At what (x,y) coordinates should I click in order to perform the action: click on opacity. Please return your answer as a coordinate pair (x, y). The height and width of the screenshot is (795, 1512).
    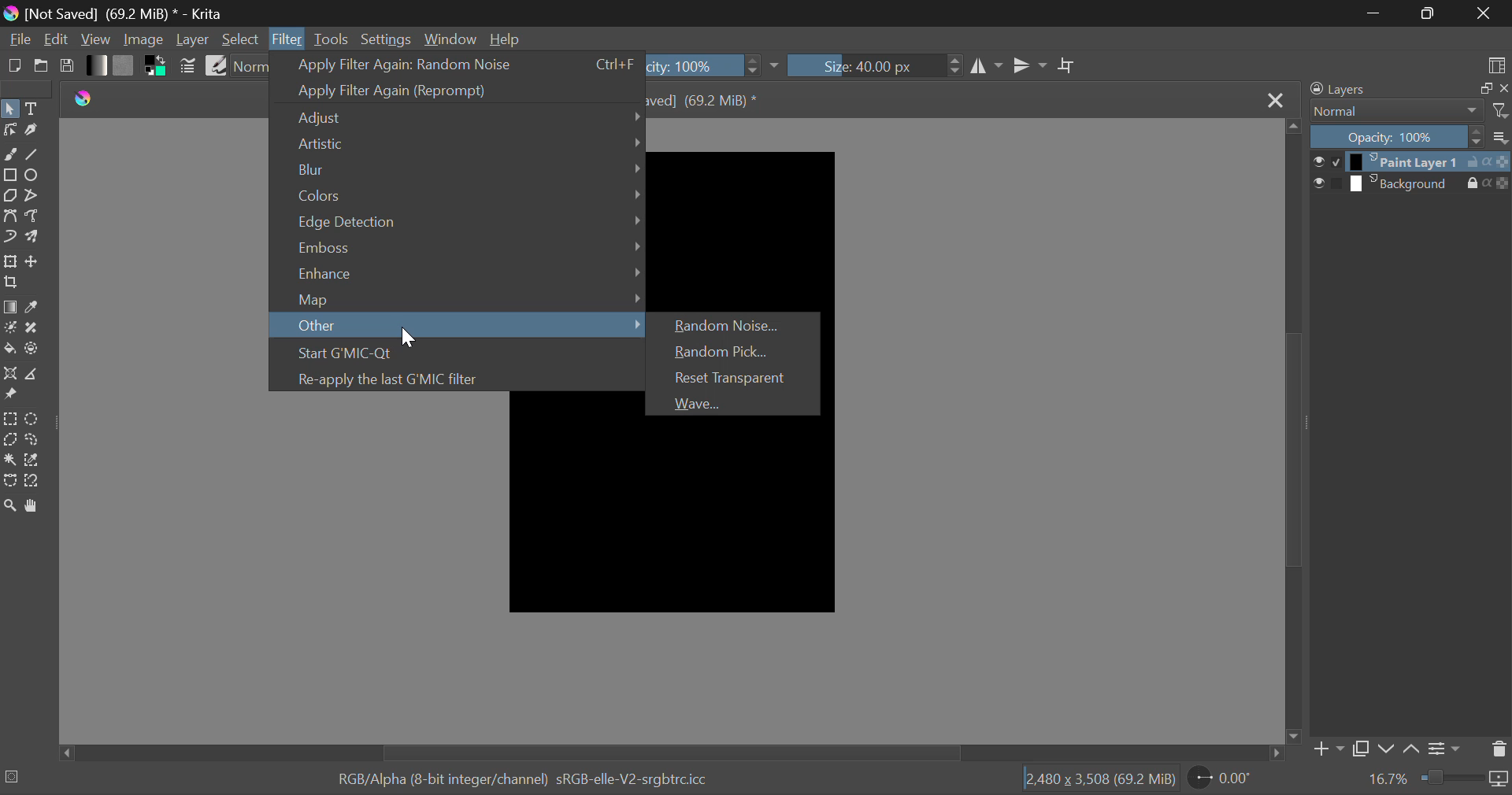
    Looking at the image, I should click on (1503, 162).